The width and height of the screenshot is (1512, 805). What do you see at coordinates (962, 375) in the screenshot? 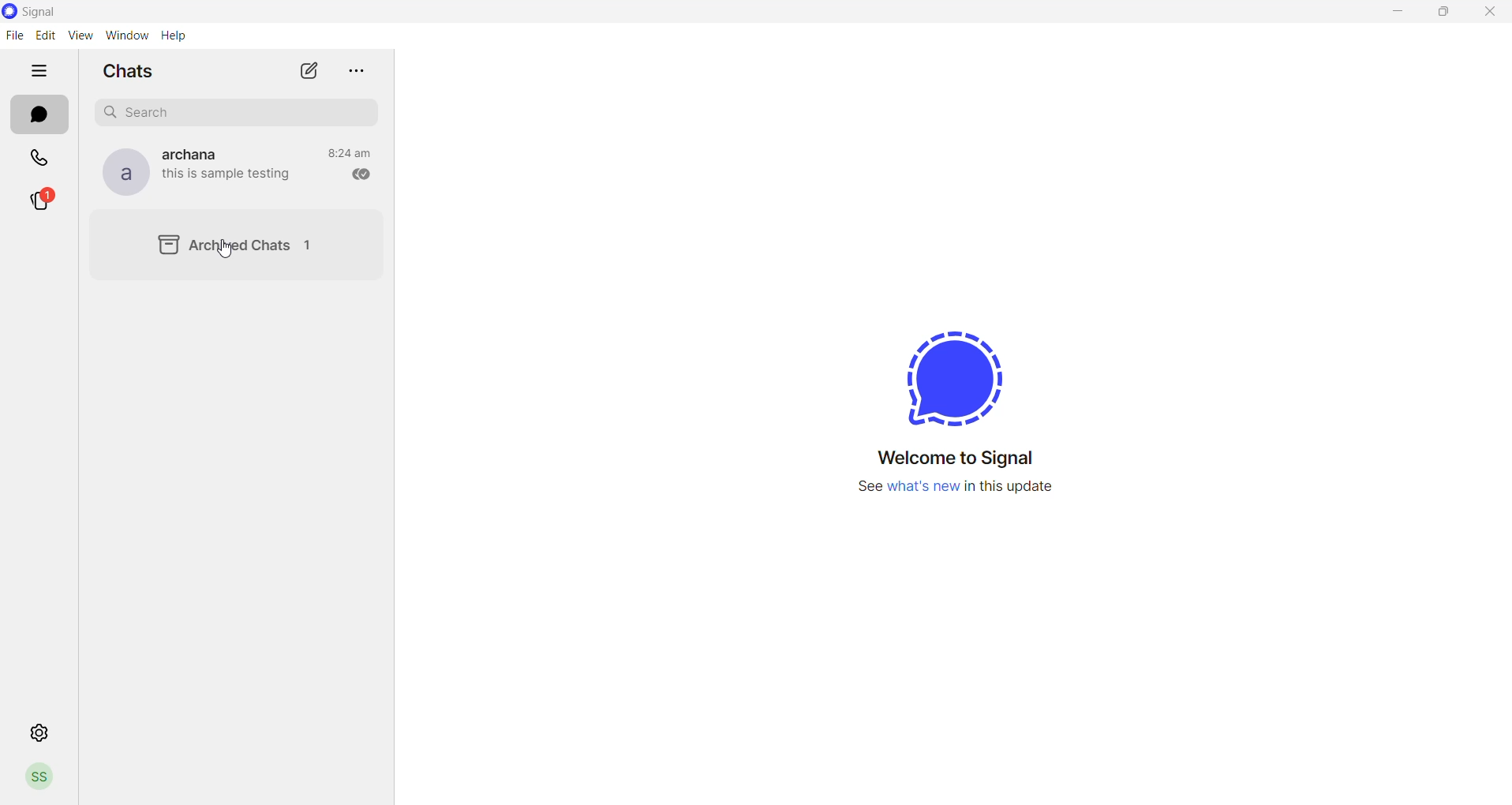
I see `signal logo` at bounding box center [962, 375].